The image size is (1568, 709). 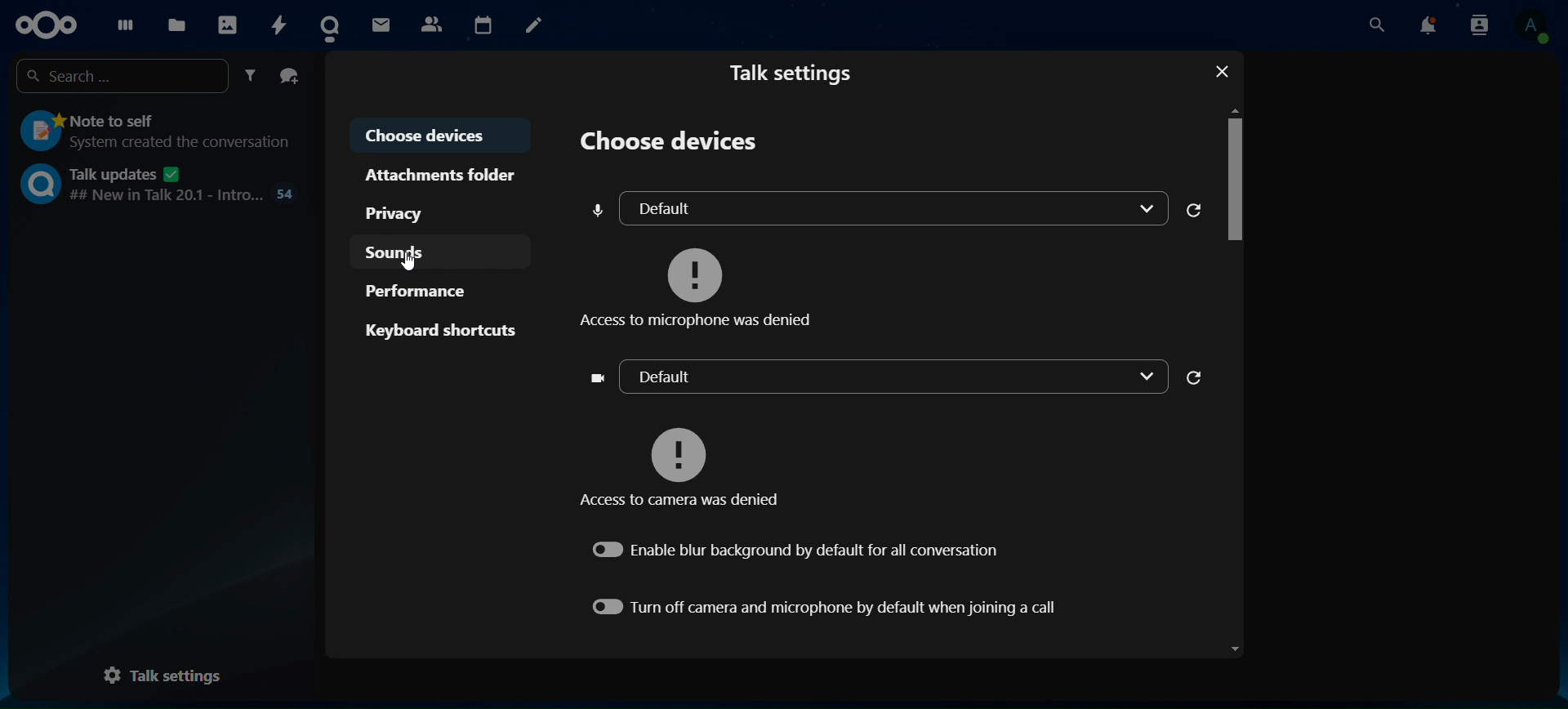 What do you see at coordinates (226, 20) in the screenshot?
I see `photos` at bounding box center [226, 20].